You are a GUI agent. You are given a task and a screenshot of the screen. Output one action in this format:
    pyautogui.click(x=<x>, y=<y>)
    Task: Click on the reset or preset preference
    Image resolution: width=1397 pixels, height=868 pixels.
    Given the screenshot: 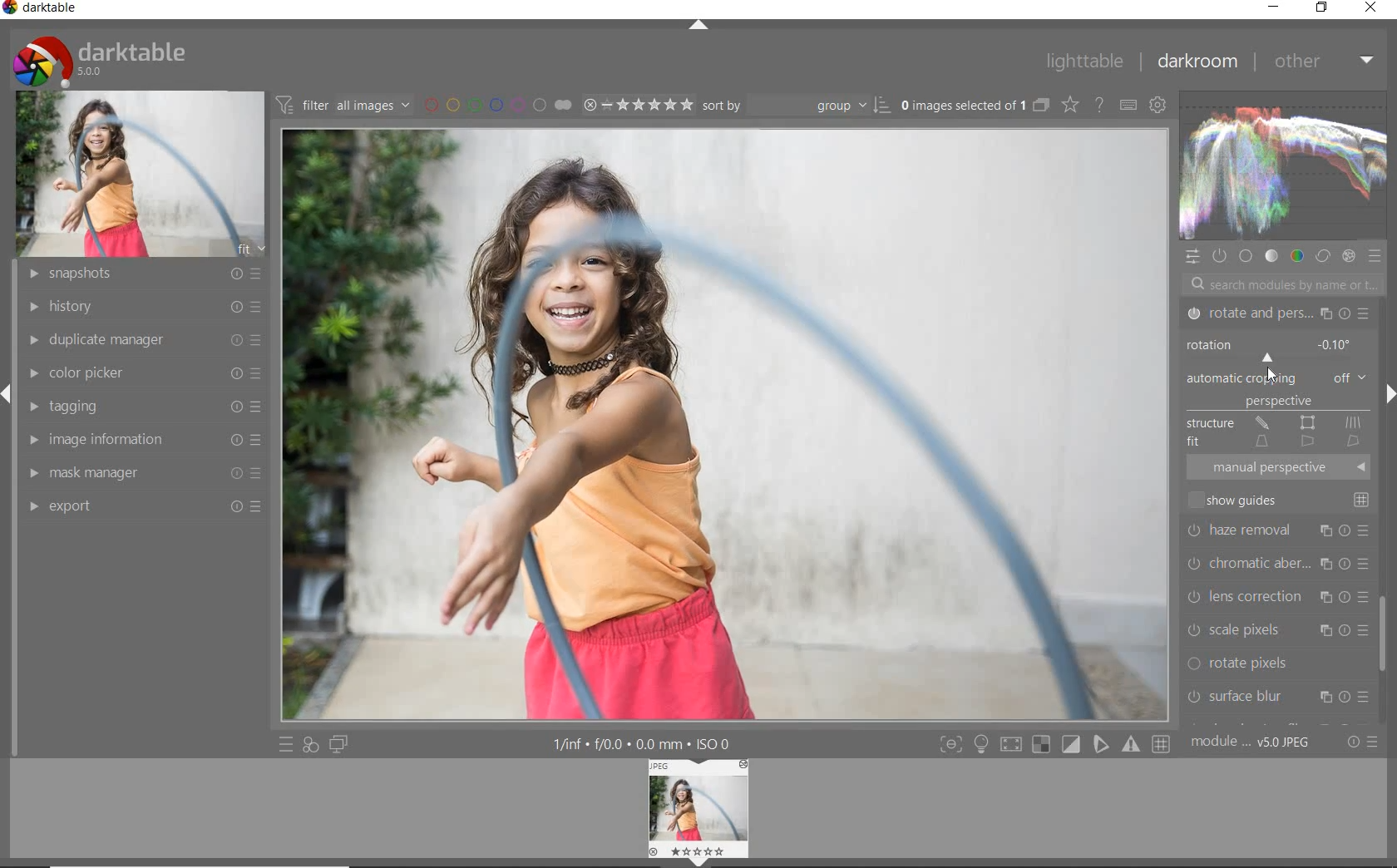 What is the action you would take?
    pyautogui.click(x=1359, y=742)
    